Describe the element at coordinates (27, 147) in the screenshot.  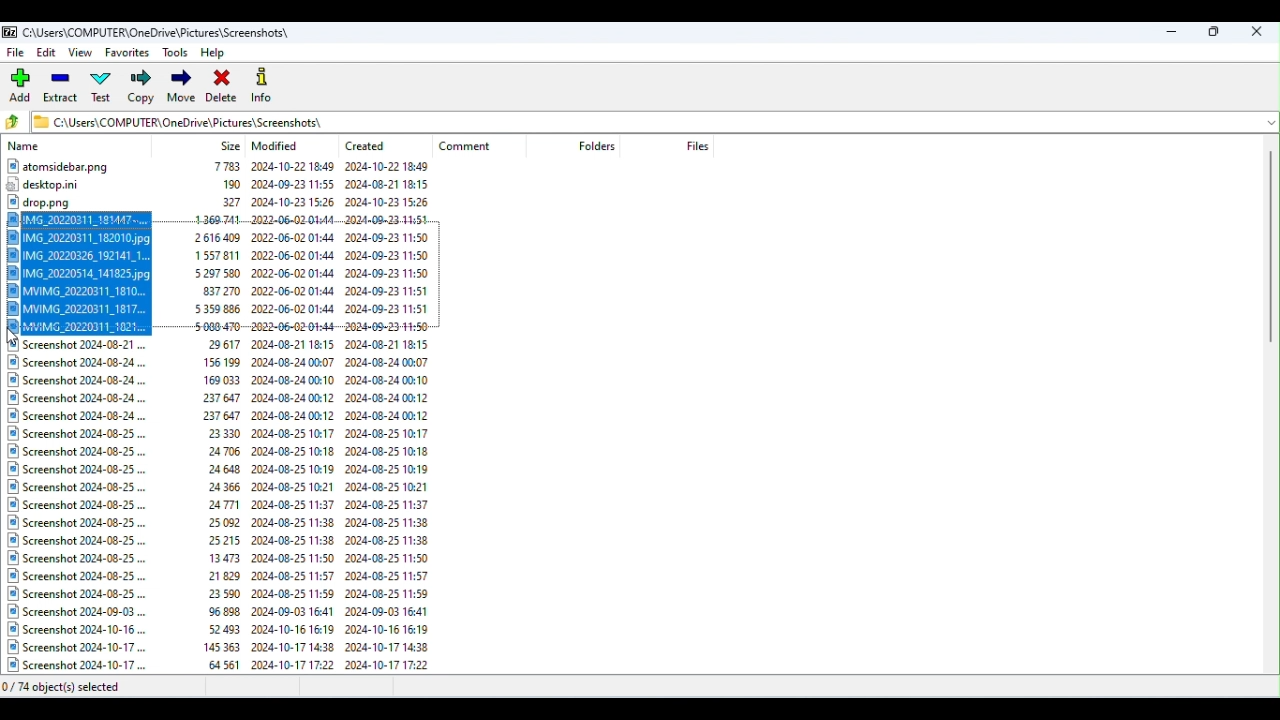
I see `Name` at that location.